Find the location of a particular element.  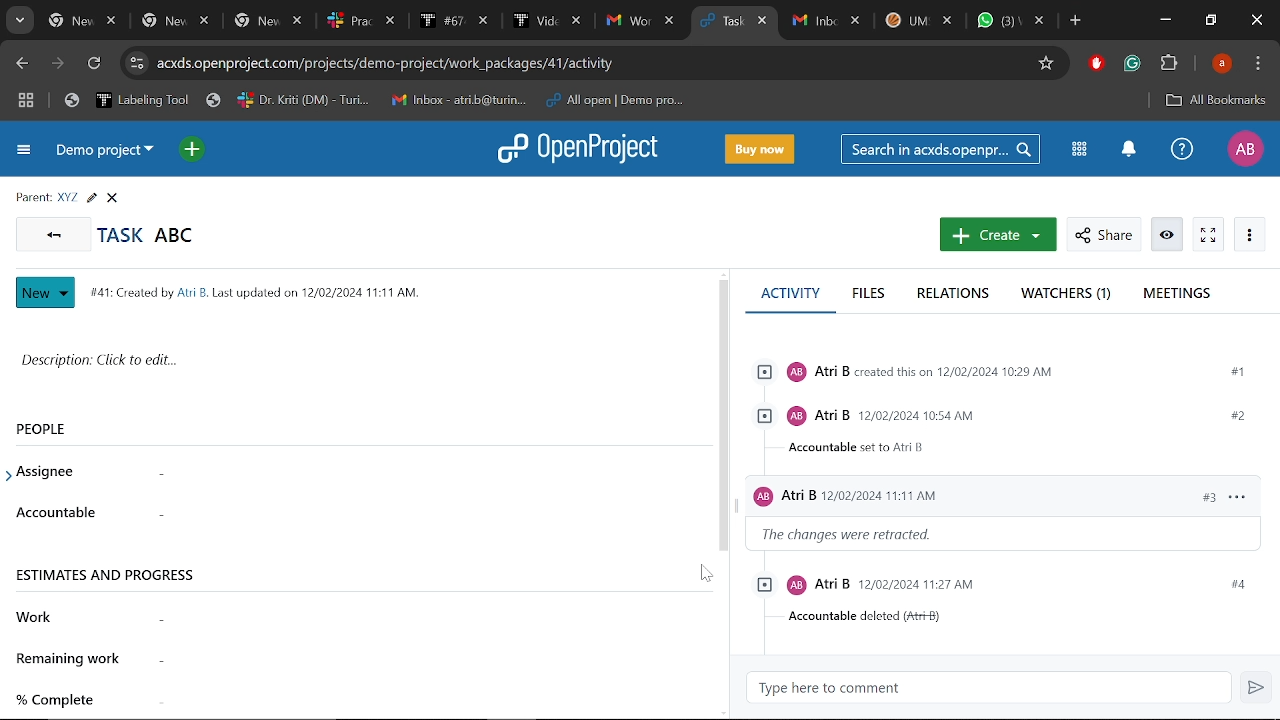

Bookmarked tabs is located at coordinates (388, 100).